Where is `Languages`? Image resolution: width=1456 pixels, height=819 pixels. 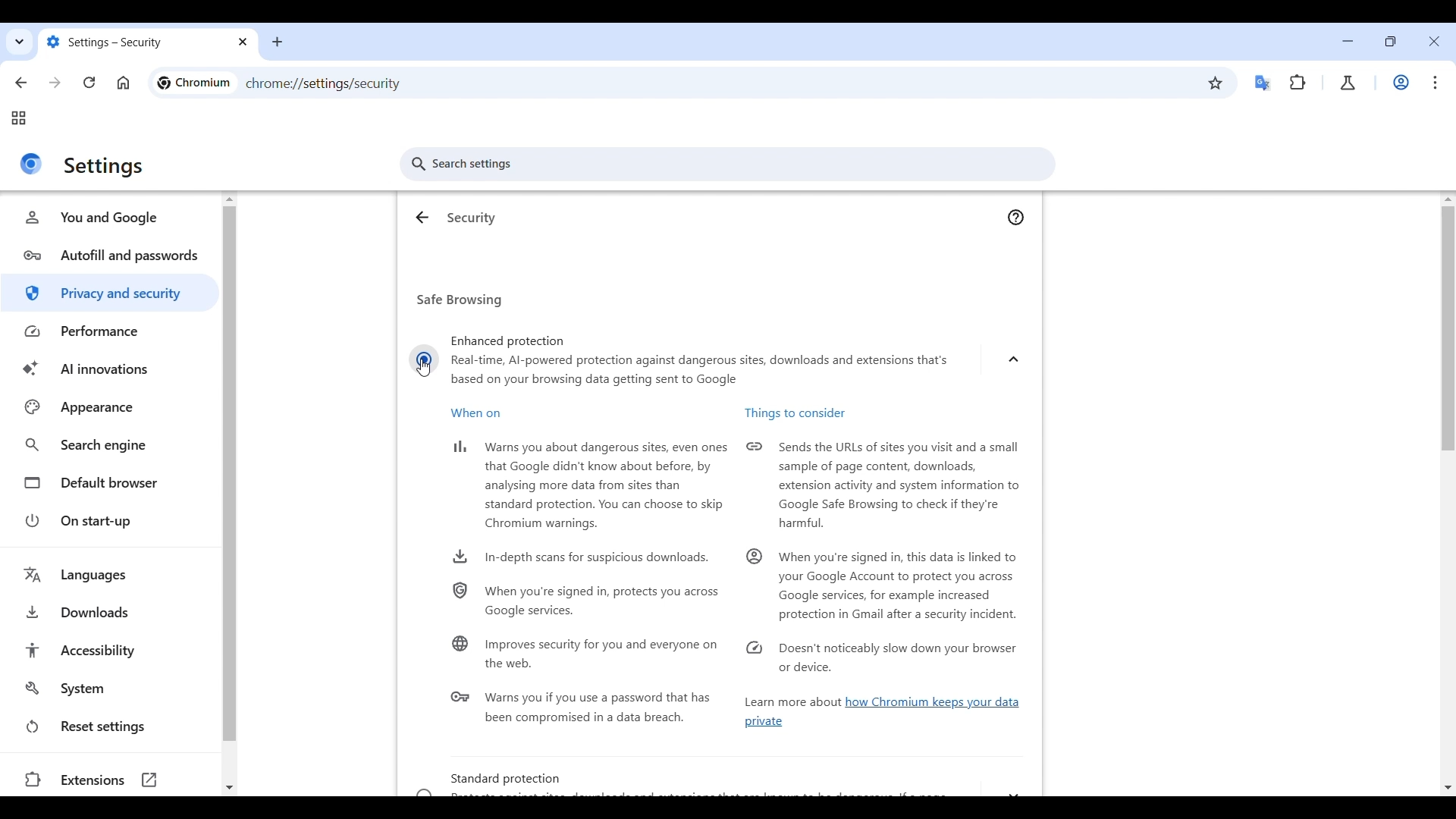
Languages is located at coordinates (113, 575).